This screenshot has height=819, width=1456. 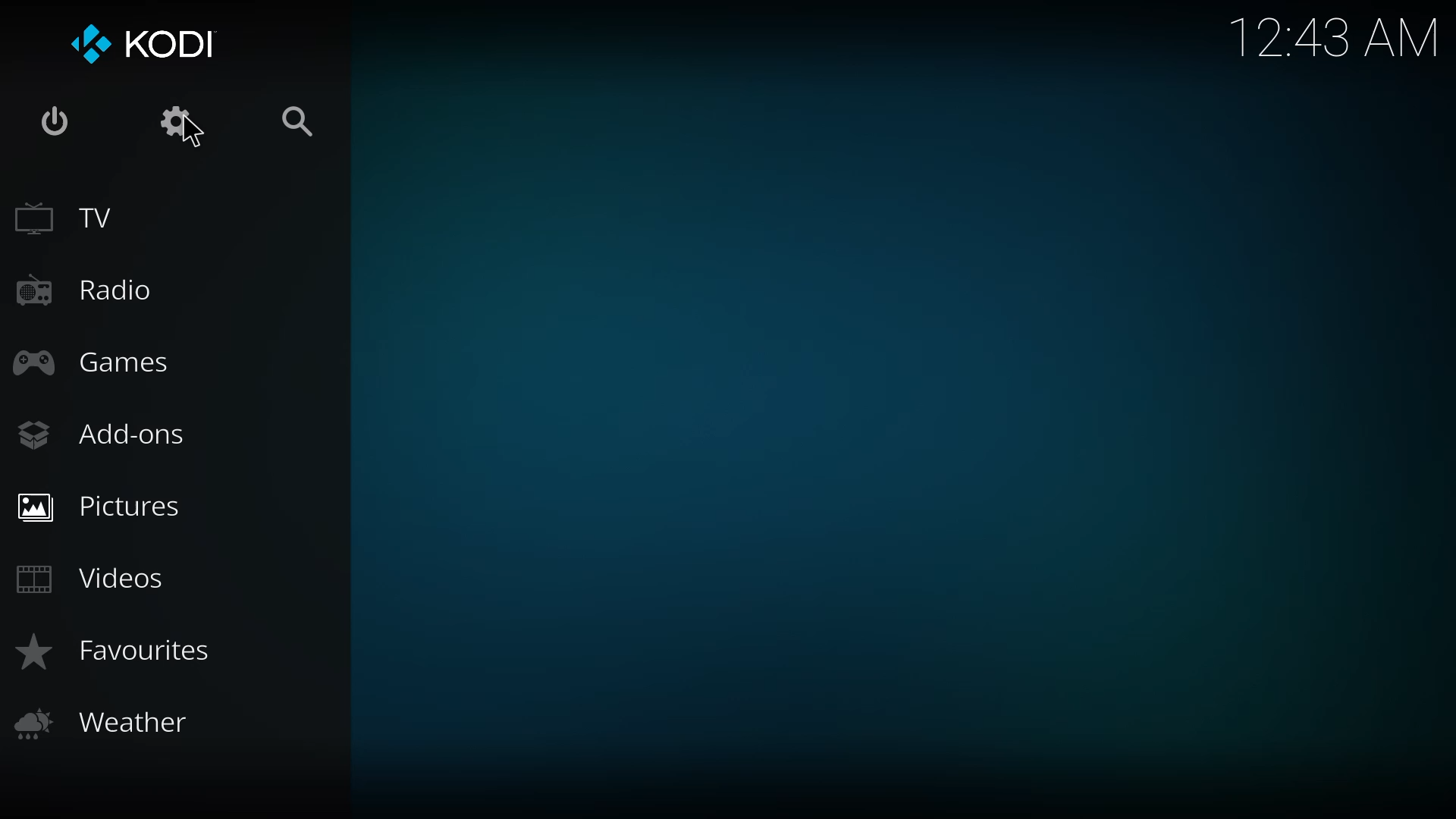 I want to click on search, so click(x=296, y=119).